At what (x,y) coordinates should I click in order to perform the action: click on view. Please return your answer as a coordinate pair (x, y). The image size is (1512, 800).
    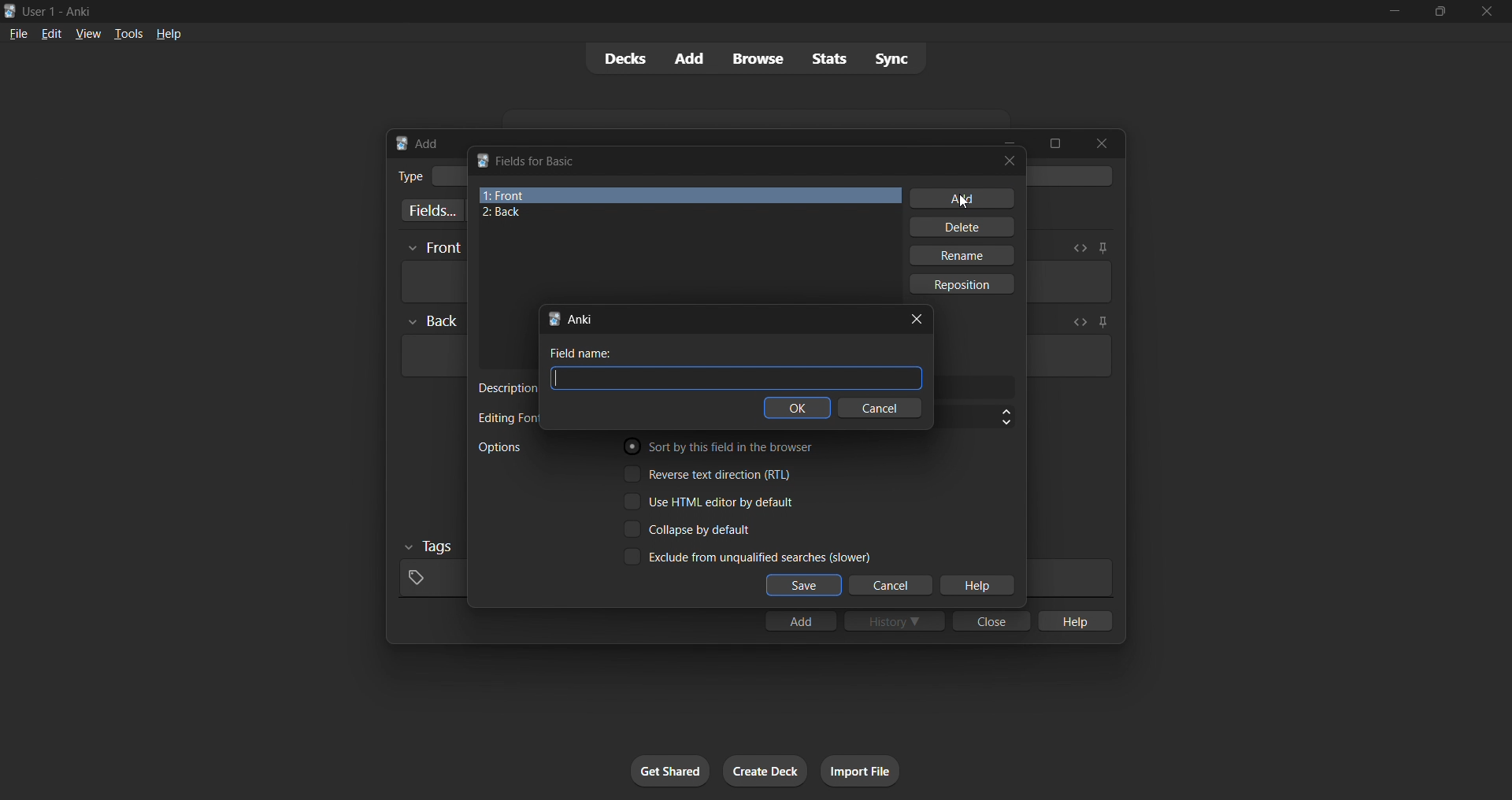
    Looking at the image, I should click on (88, 33).